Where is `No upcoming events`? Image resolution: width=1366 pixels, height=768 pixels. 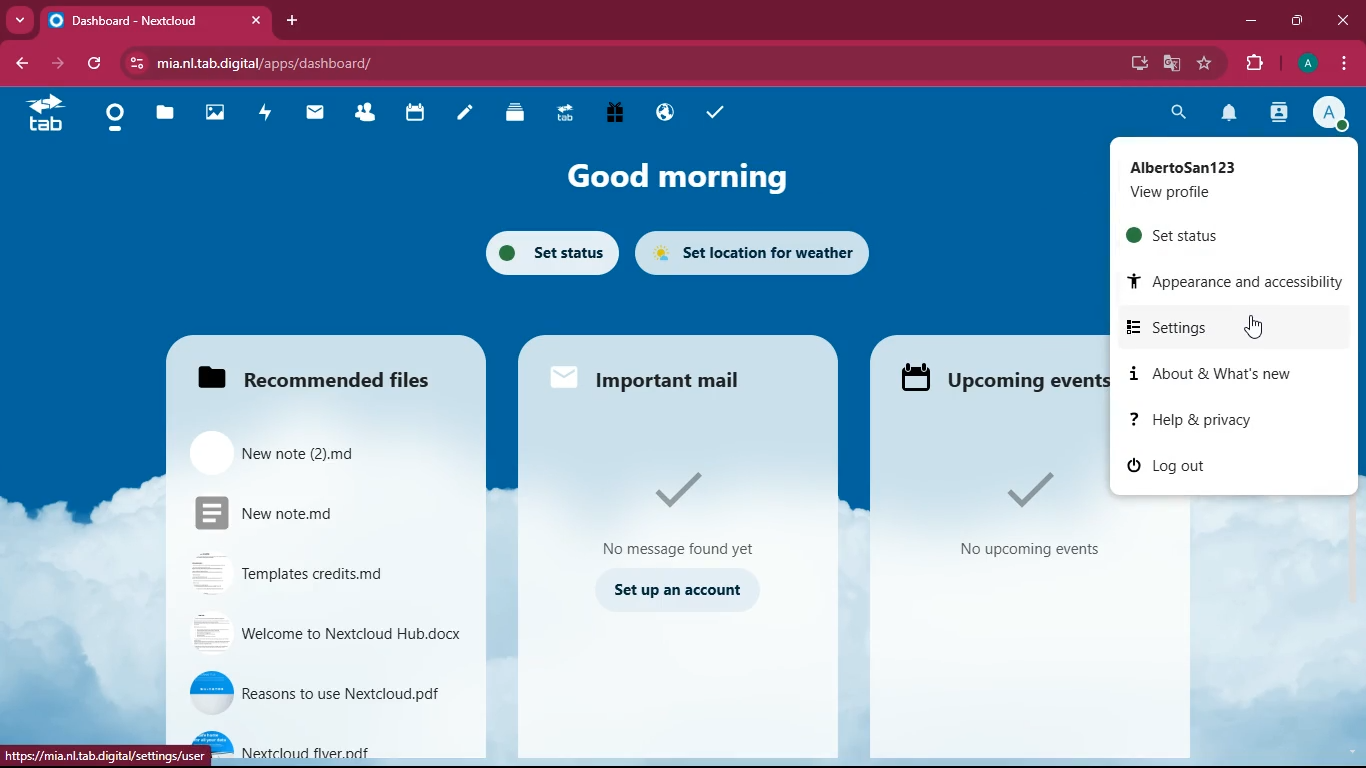 No upcoming events is located at coordinates (1028, 550).